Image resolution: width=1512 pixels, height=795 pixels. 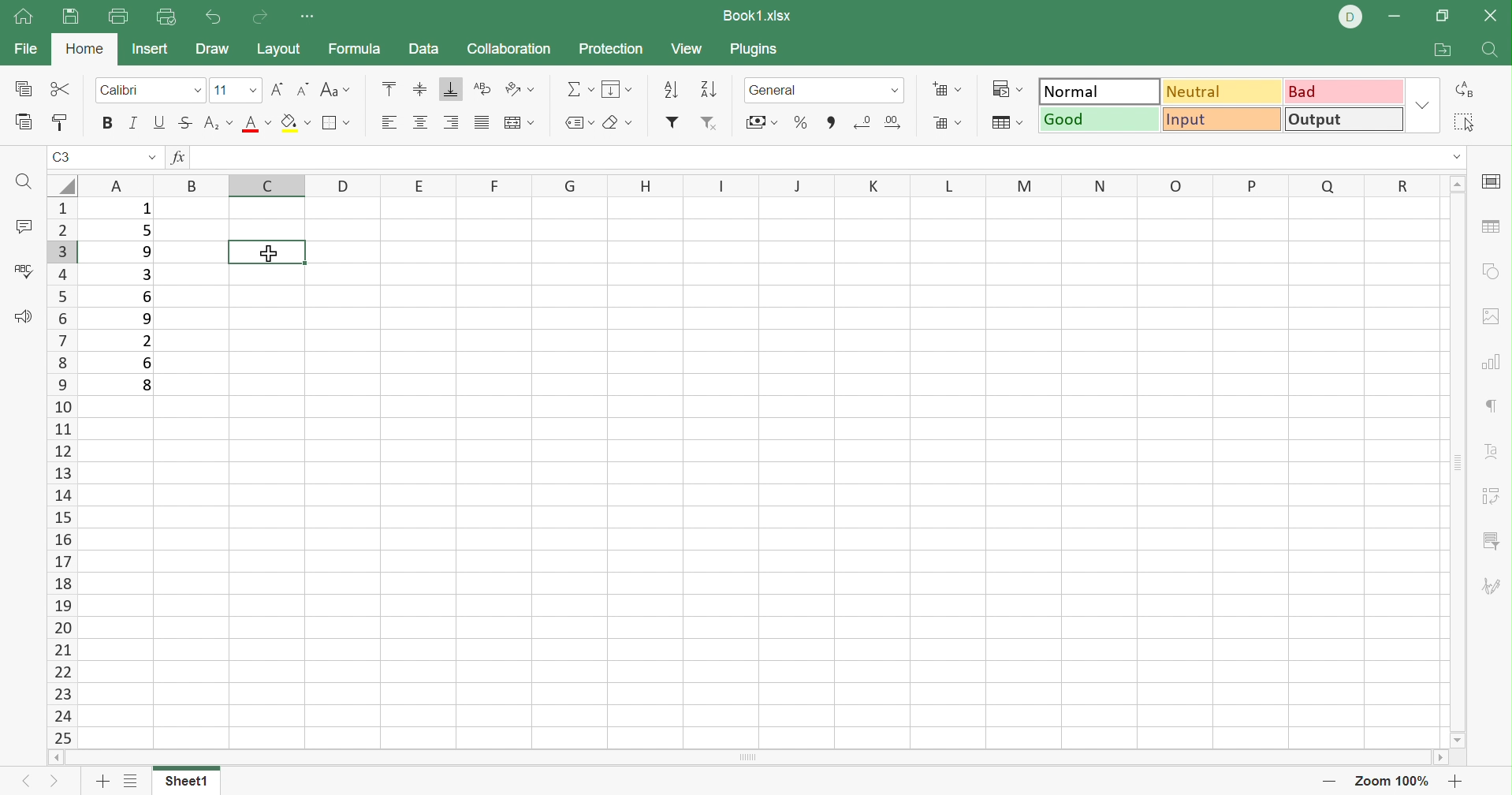 What do you see at coordinates (759, 185) in the screenshot?
I see `Column names` at bounding box center [759, 185].